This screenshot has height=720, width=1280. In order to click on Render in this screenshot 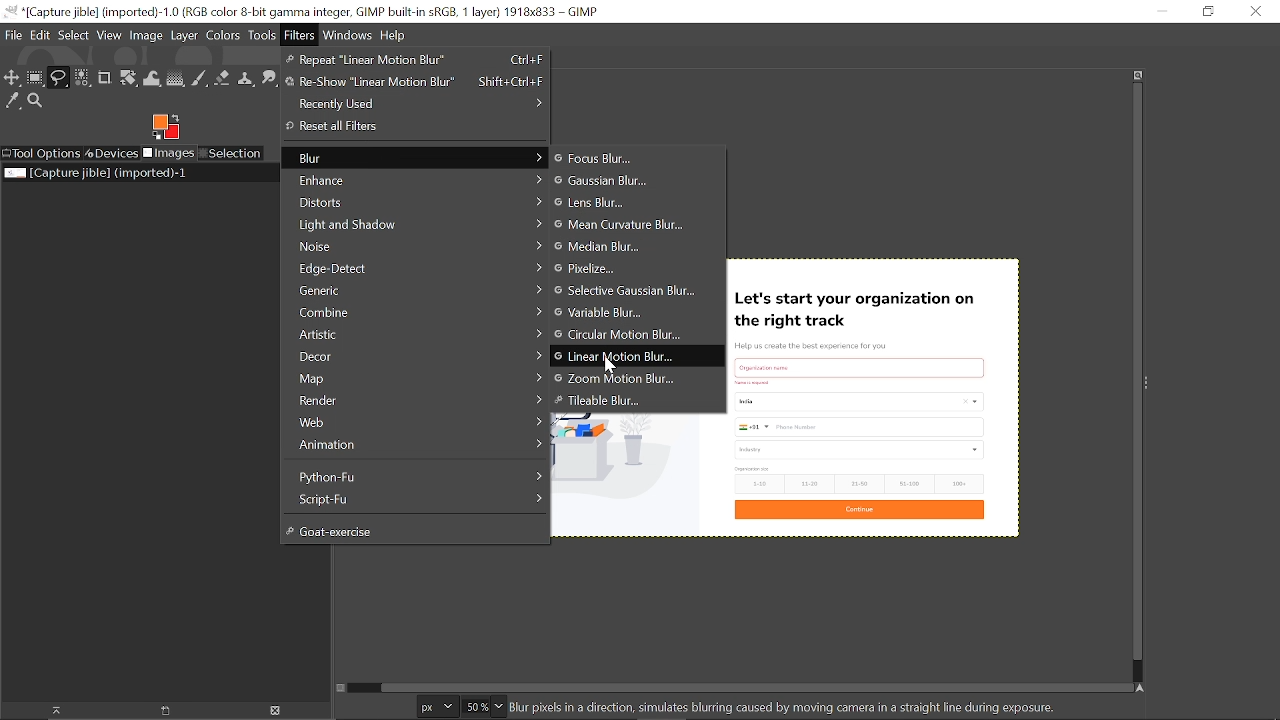, I will do `click(415, 401)`.